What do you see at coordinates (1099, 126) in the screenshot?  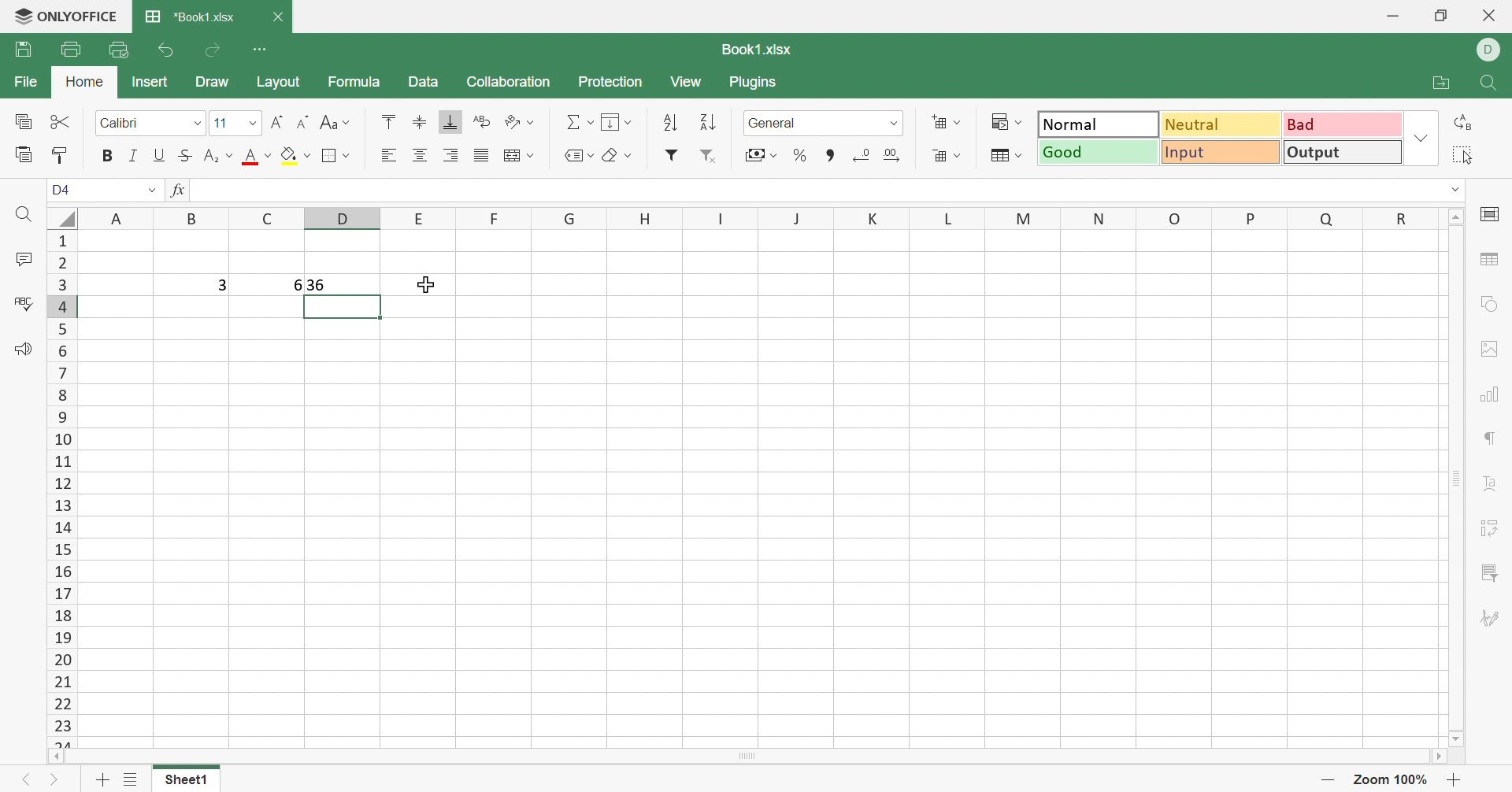 I see `Normal` at bounding box center [1099, 126].